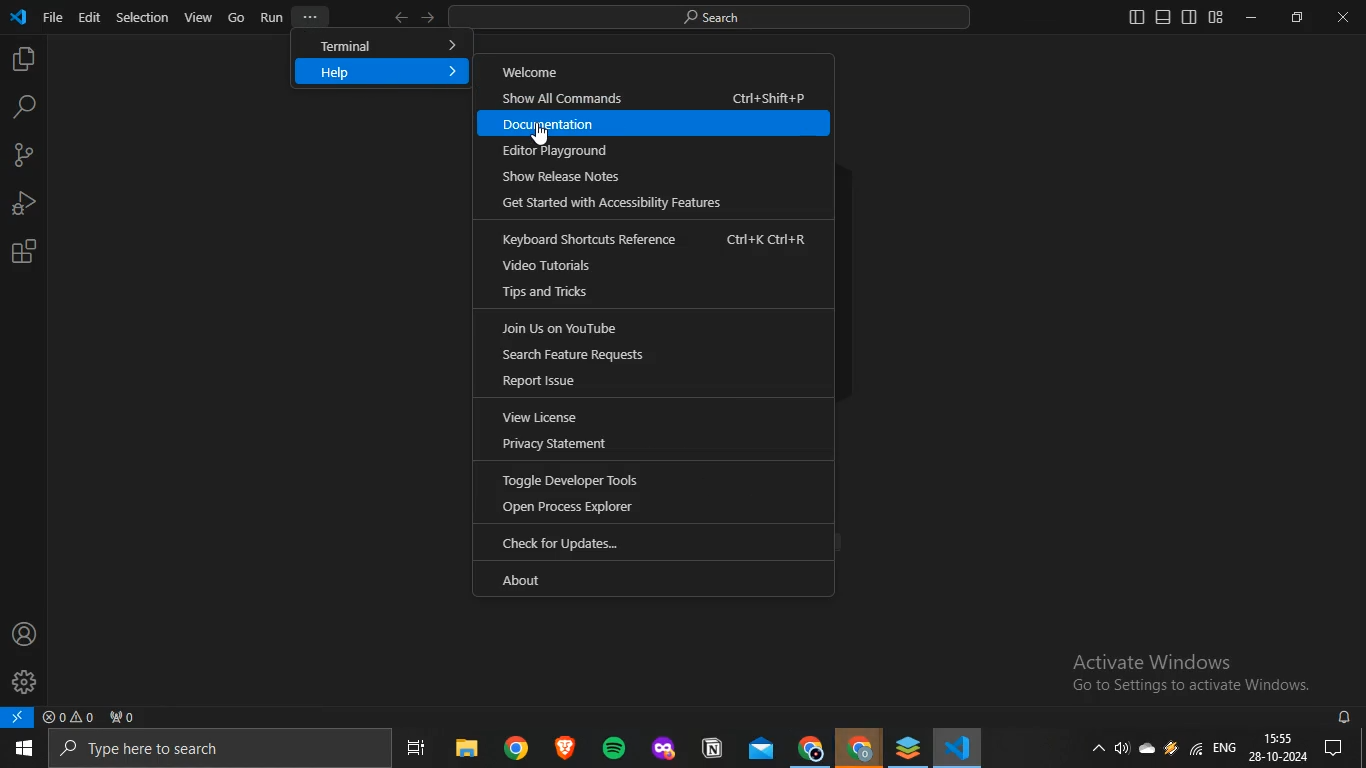 The image size is (1366, 768). I want to click on help, so click(382, 73).